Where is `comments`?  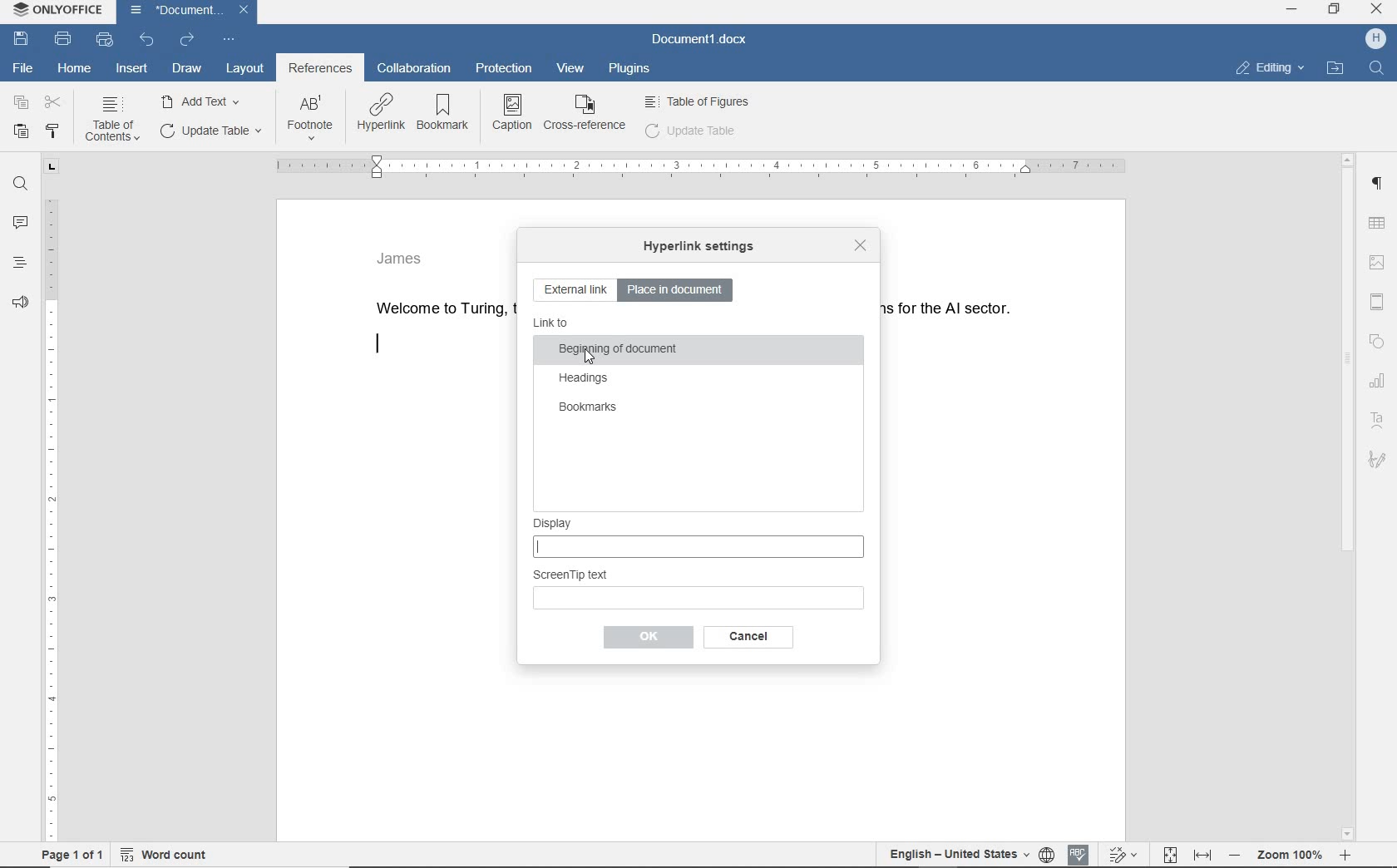 comments is located at coordinates (22, 223).